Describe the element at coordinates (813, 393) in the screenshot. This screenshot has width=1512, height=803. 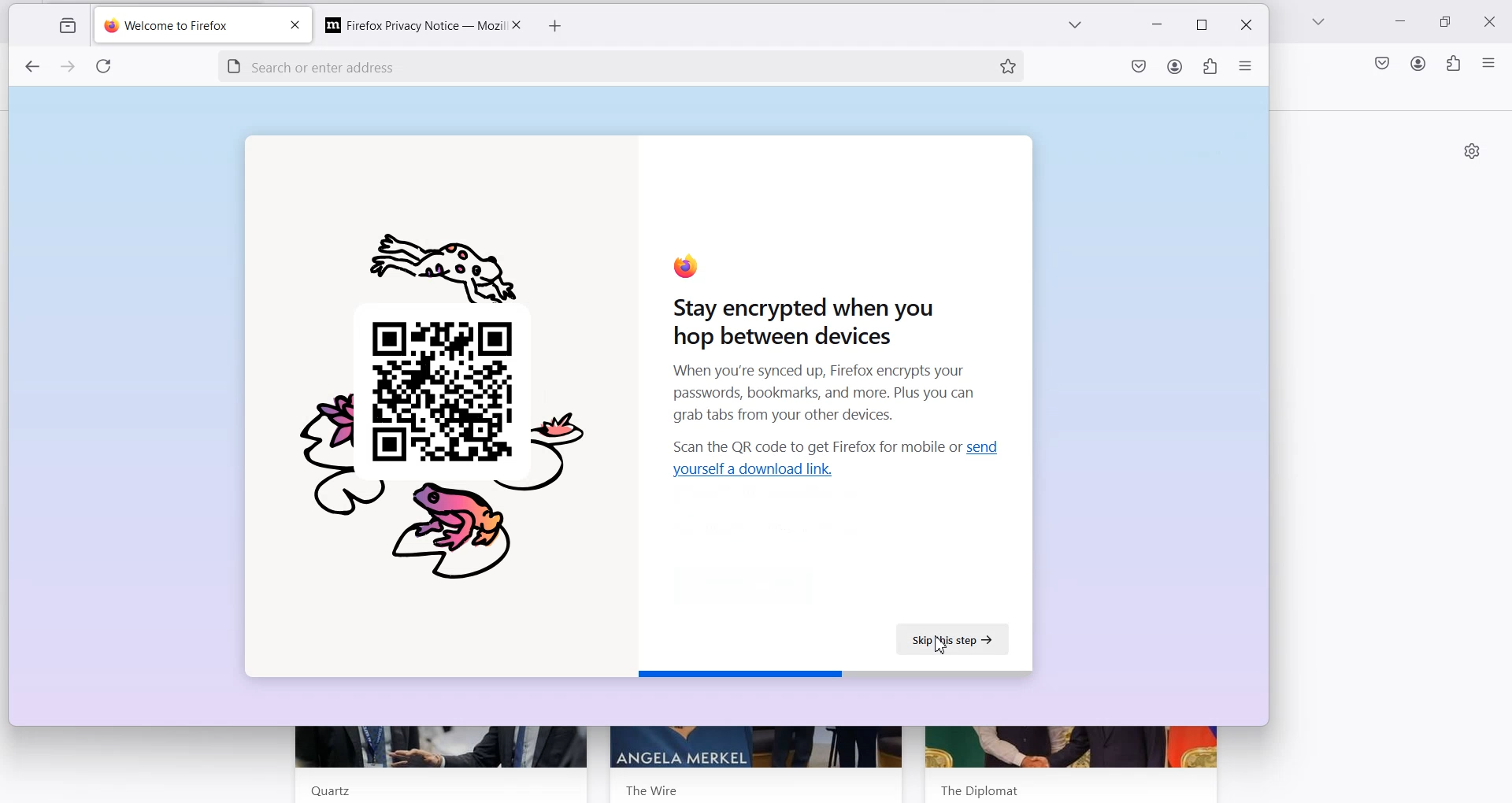
I see `When you're synced up, Firefox encrypts your passwords, bookmarks, and more. Plus you can grab tabs from your other devices.` at that location.